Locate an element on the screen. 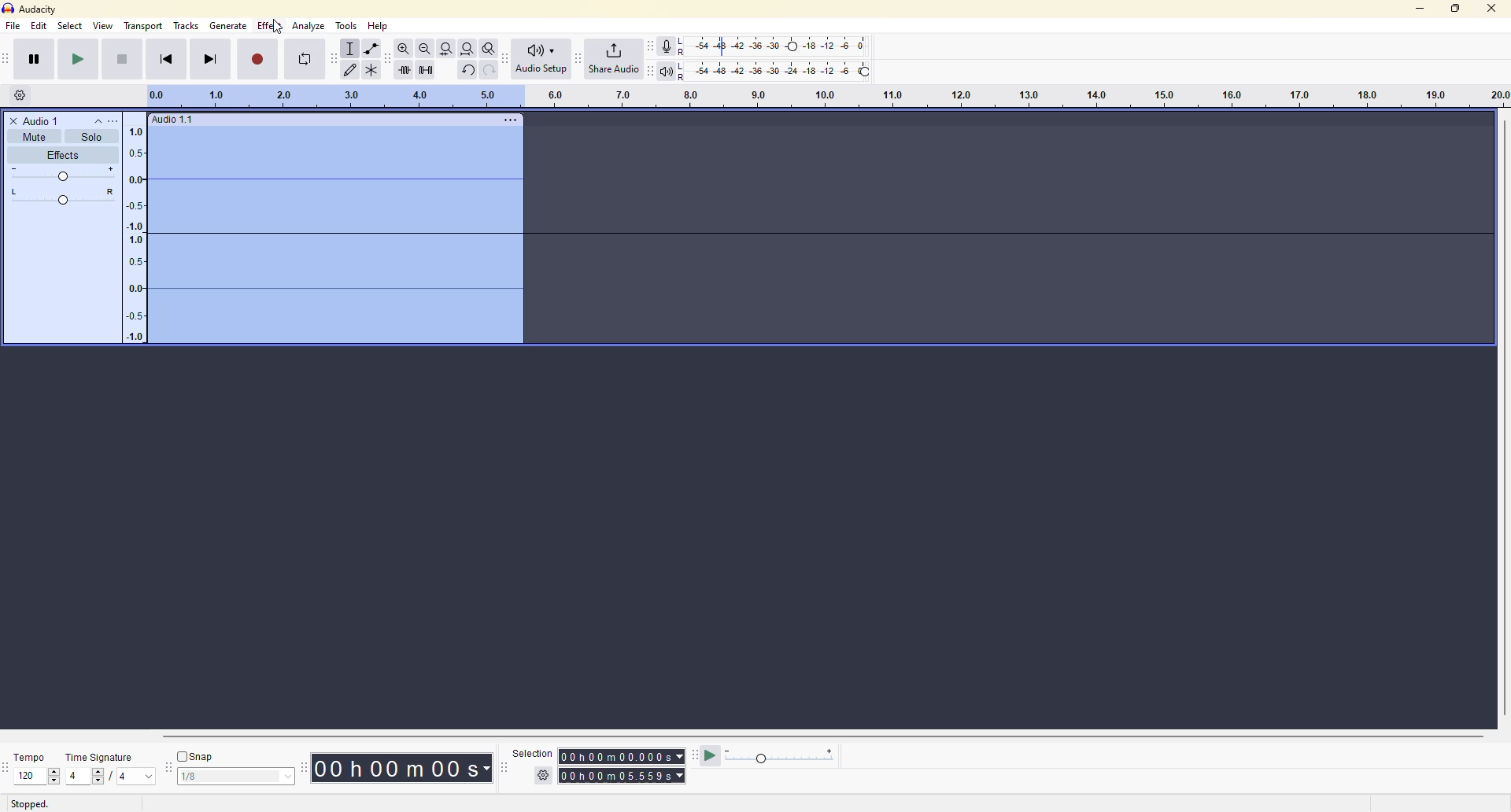 The width and height of the screenshot is (1511, 812). snapping toolbar is located at coordinates (168, 767).